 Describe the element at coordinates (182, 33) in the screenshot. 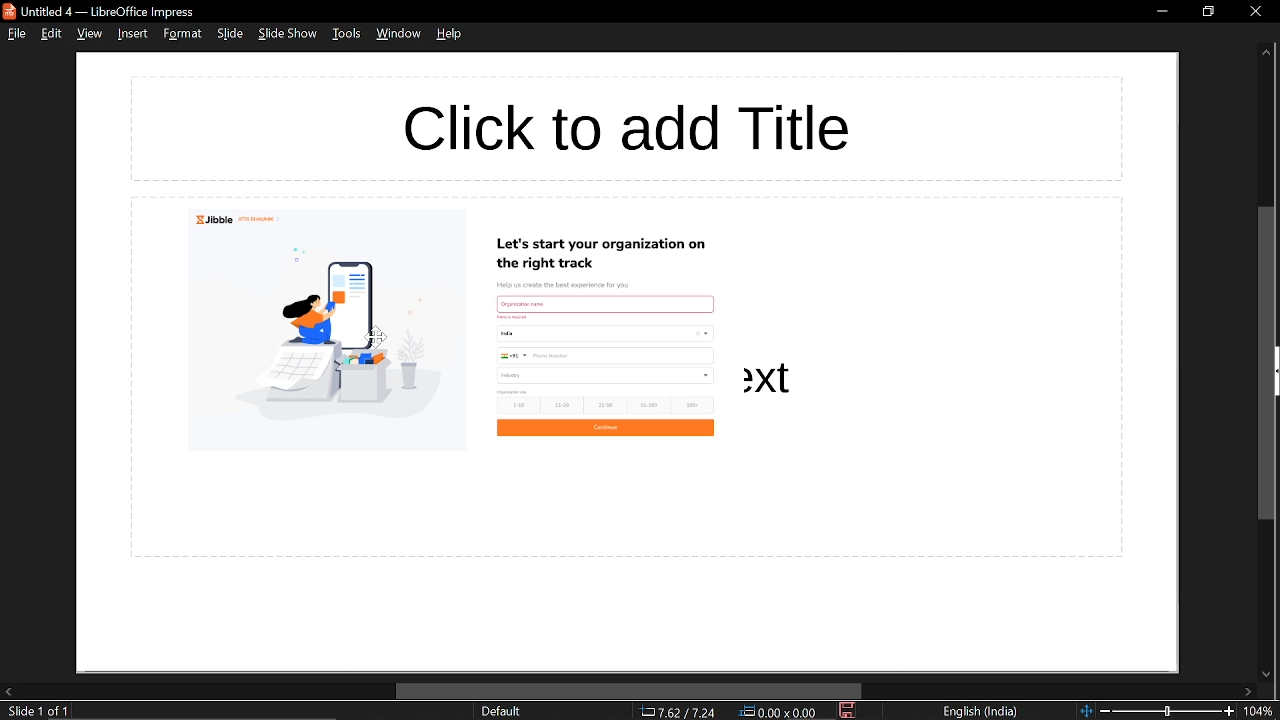

I see `format` at that location.